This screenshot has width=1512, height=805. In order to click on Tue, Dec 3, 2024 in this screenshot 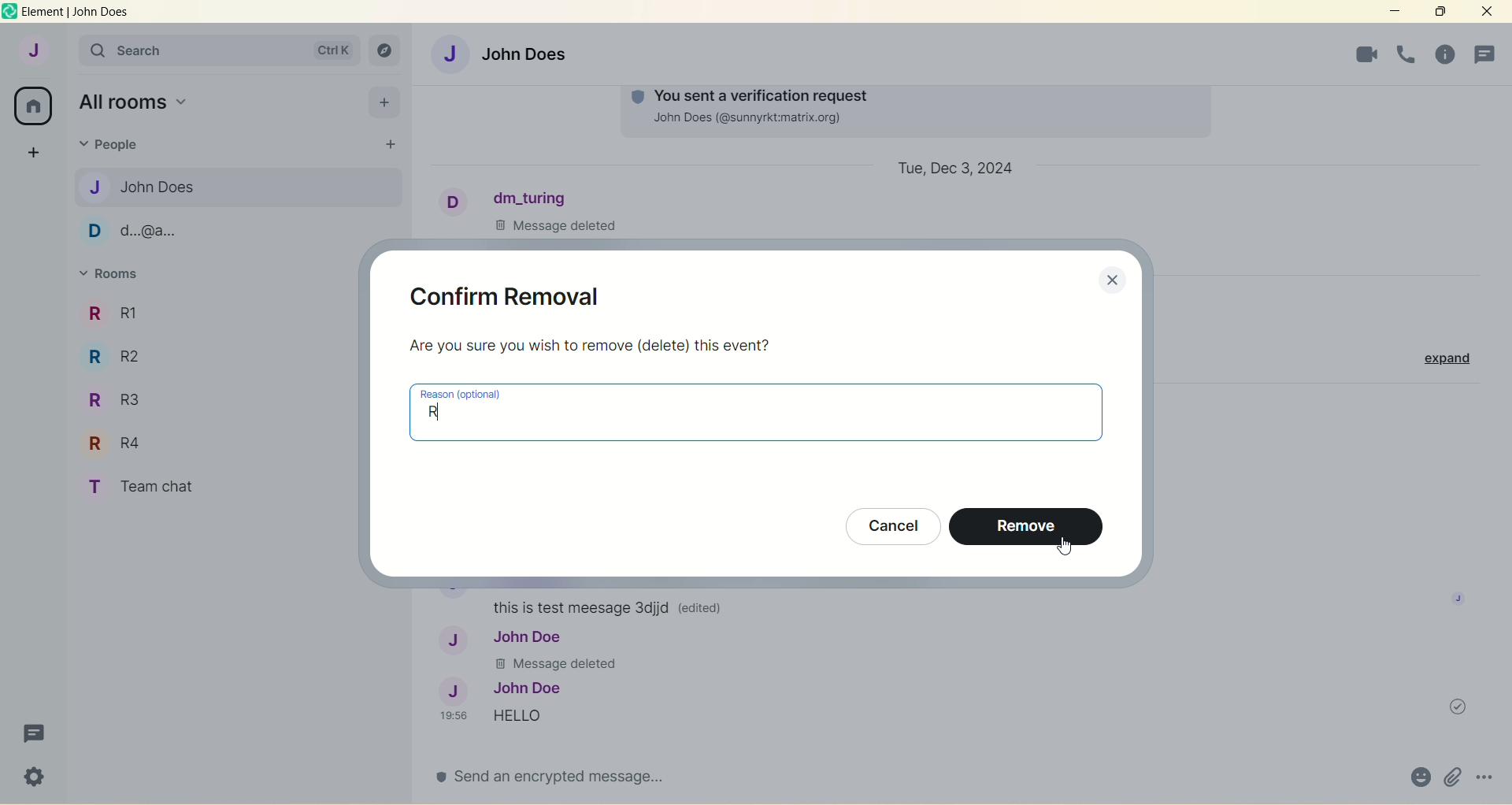, I will do `click(957, 169)`.